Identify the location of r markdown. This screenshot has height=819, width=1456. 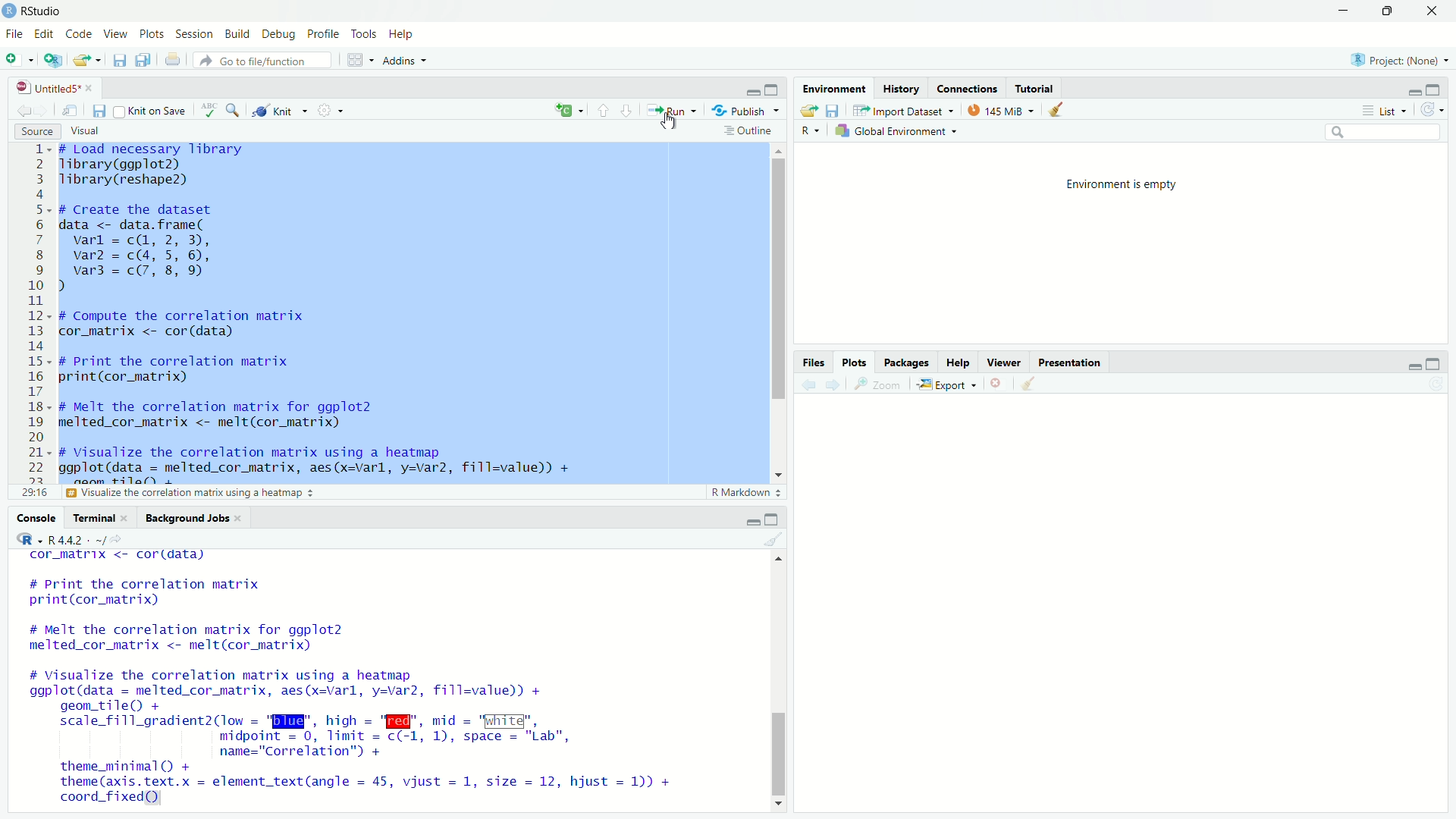
(748, 493).